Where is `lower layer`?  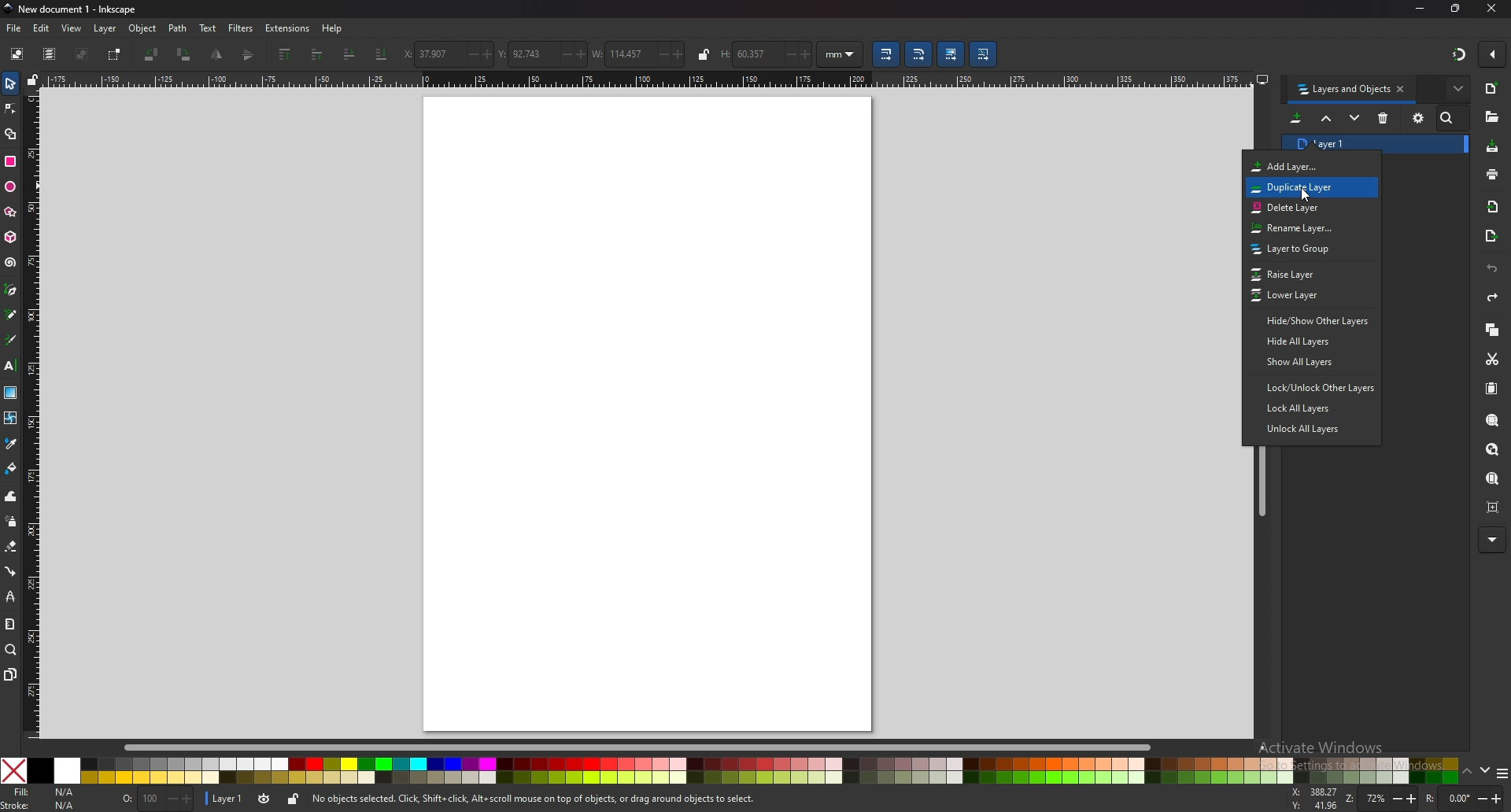
lower layer is located at coordinates (1306, 296).